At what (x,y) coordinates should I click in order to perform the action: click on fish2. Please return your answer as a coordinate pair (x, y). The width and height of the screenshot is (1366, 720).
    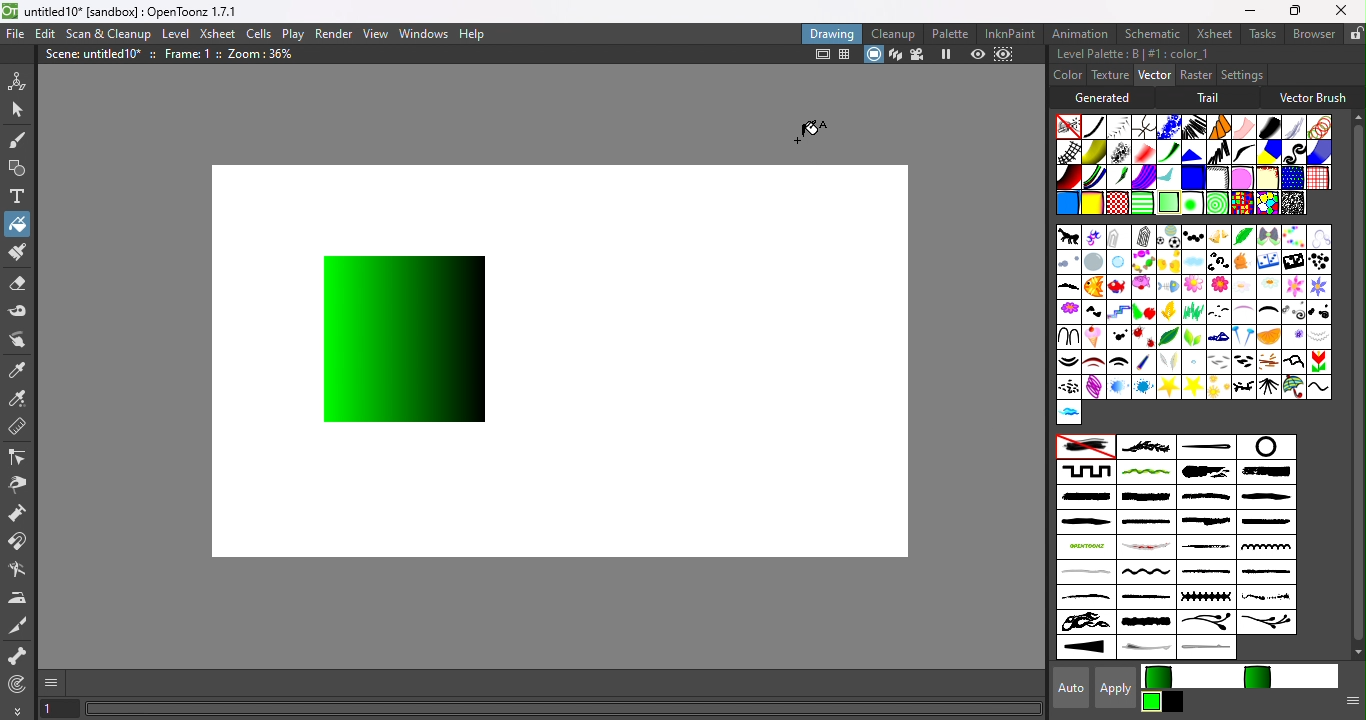
    Looking at the image, I should click on (1118, 286).